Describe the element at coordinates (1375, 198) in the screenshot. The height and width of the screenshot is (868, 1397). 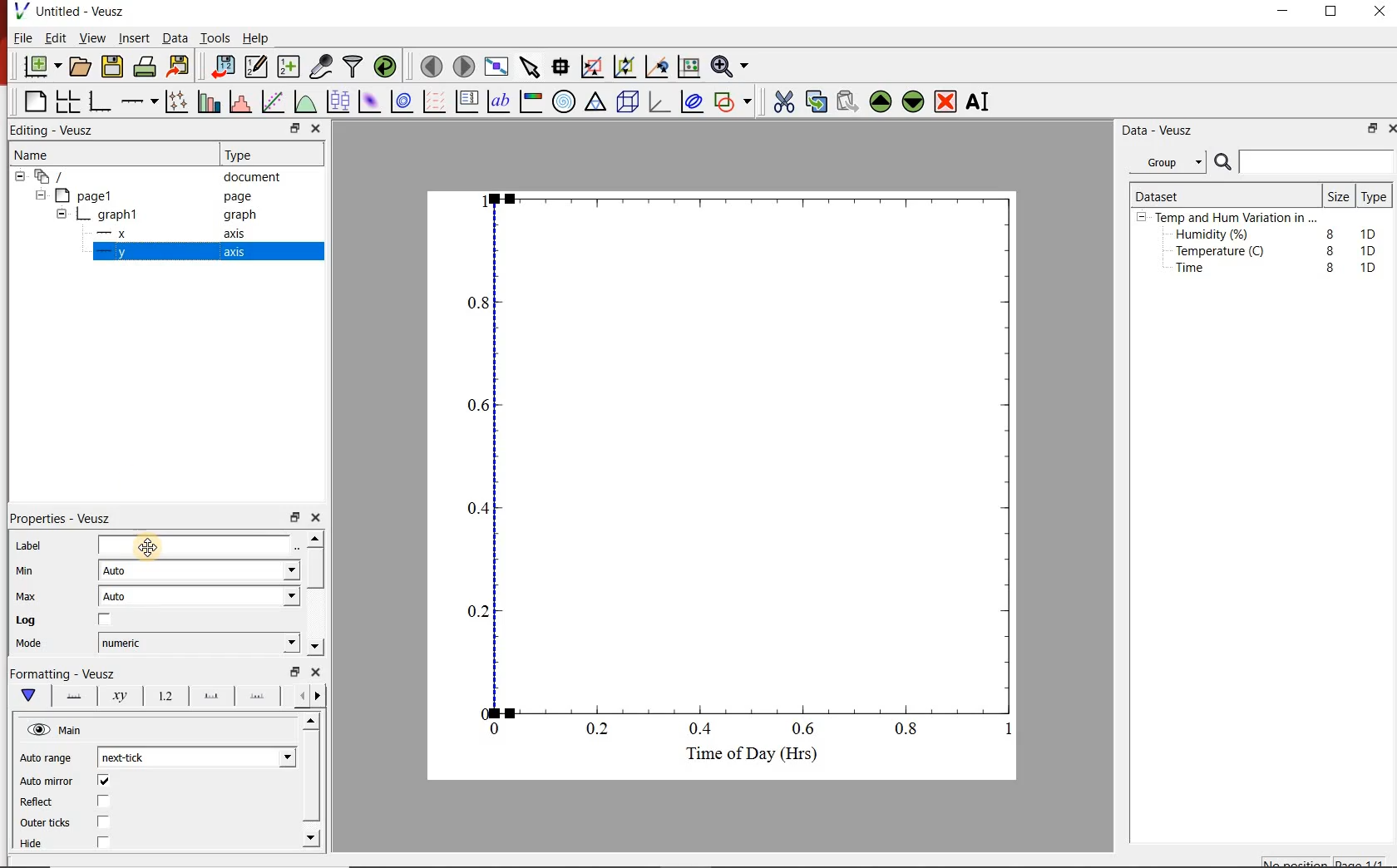
I see `Type` at that location.